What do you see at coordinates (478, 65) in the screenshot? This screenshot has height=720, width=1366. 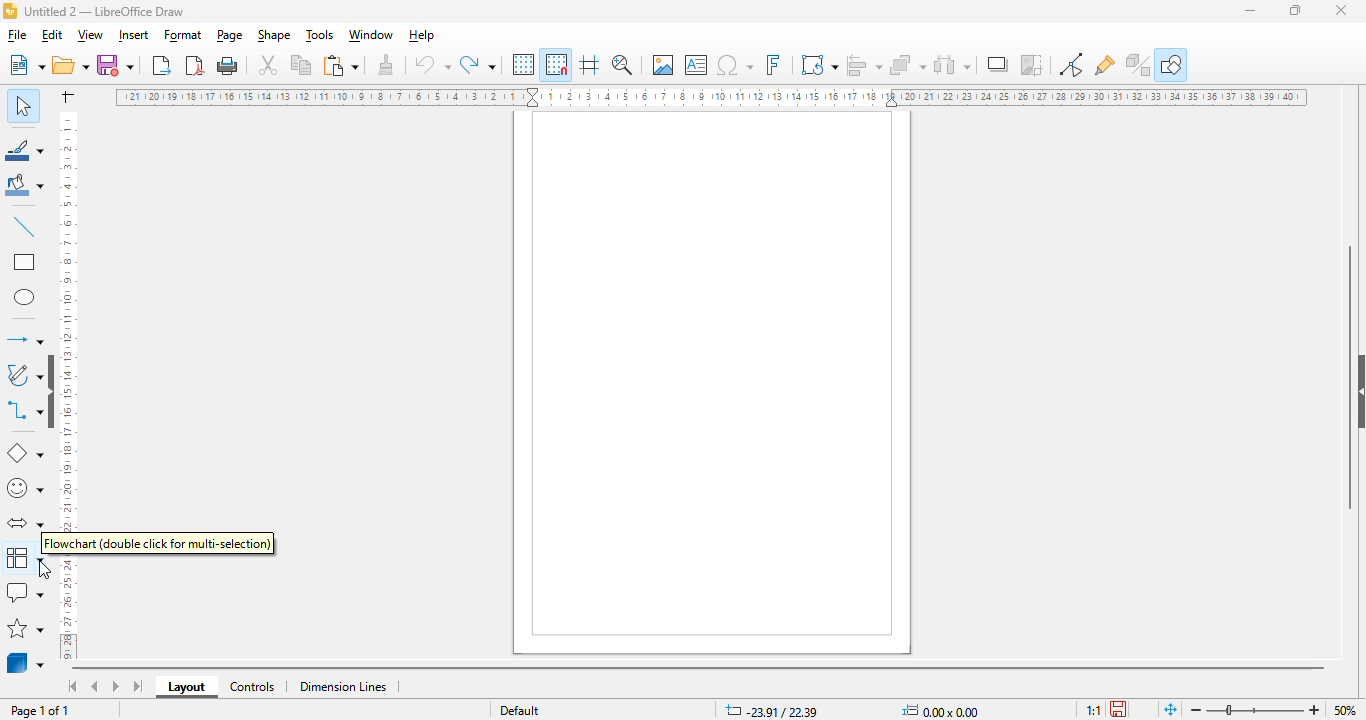 I see `redo` at bounding box center [478, 65].